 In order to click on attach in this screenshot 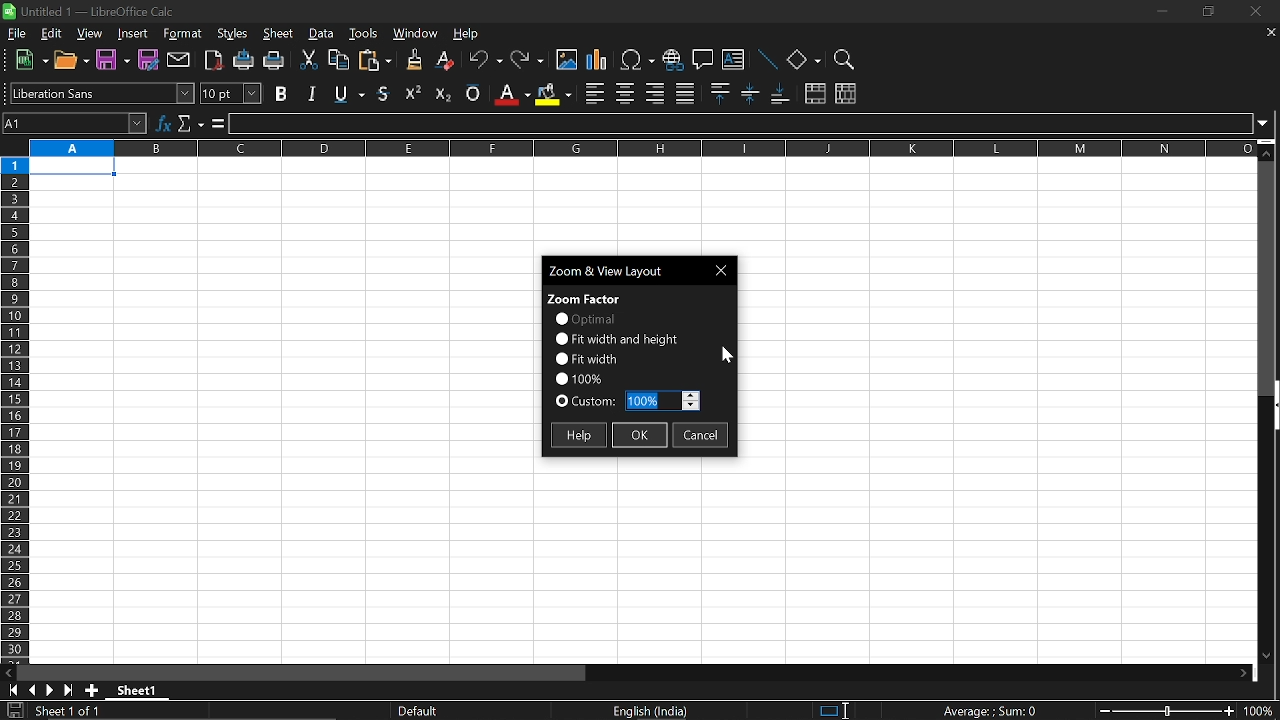, I will do `click(180, 61)`.